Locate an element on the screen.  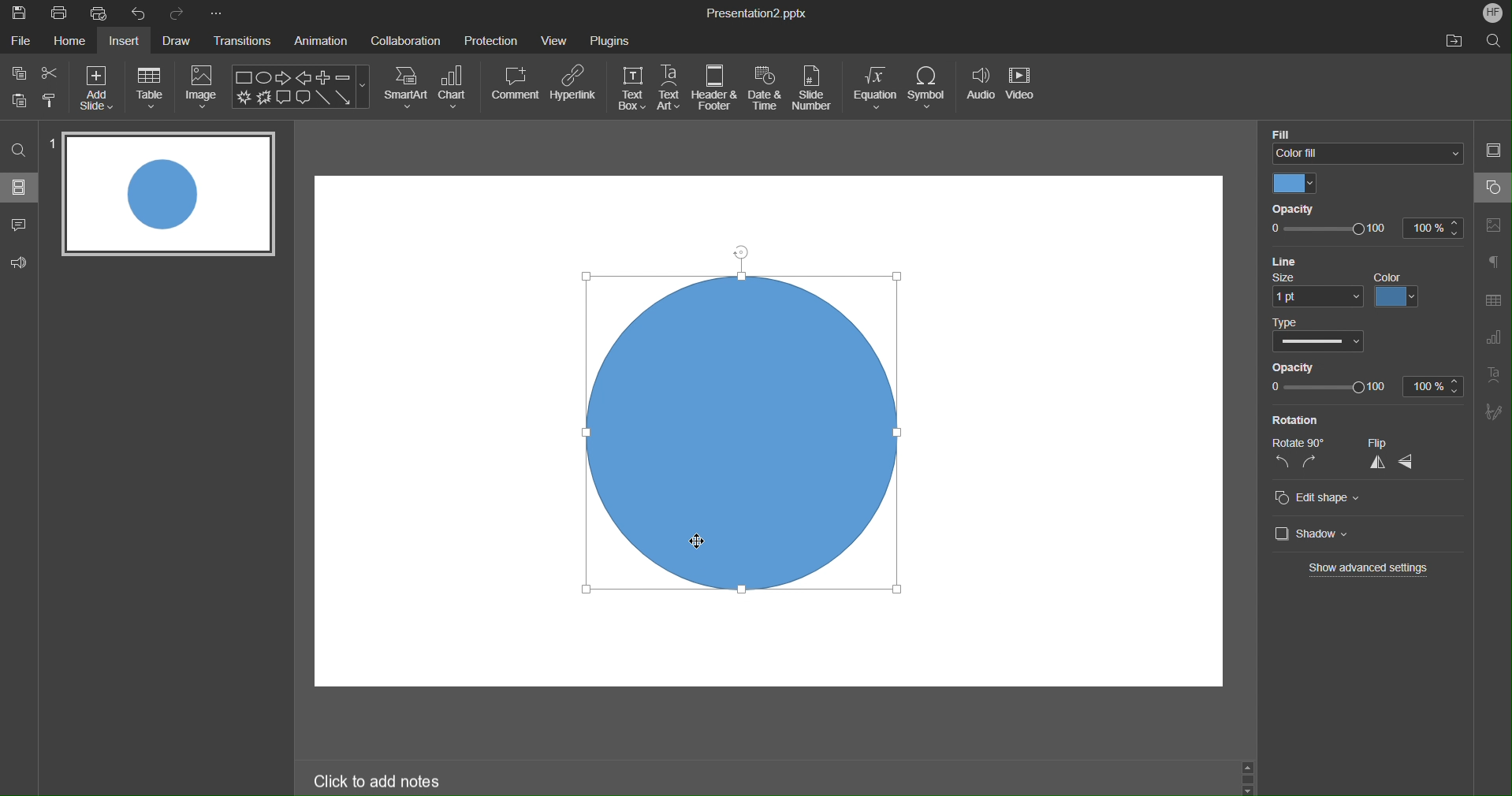
Image is located at coordinates (203, 87).